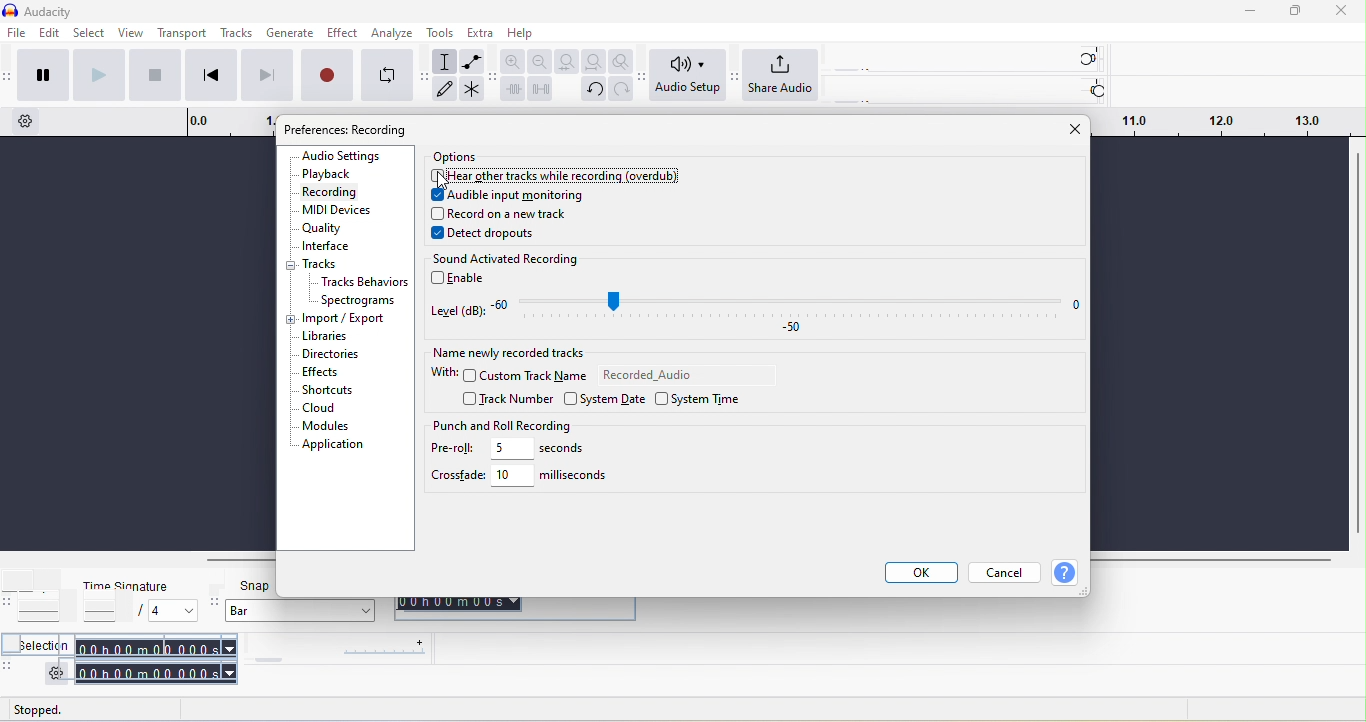  Describe the element at coordinates (689, 74) in the screenshot. I see `audio setup` at that location.